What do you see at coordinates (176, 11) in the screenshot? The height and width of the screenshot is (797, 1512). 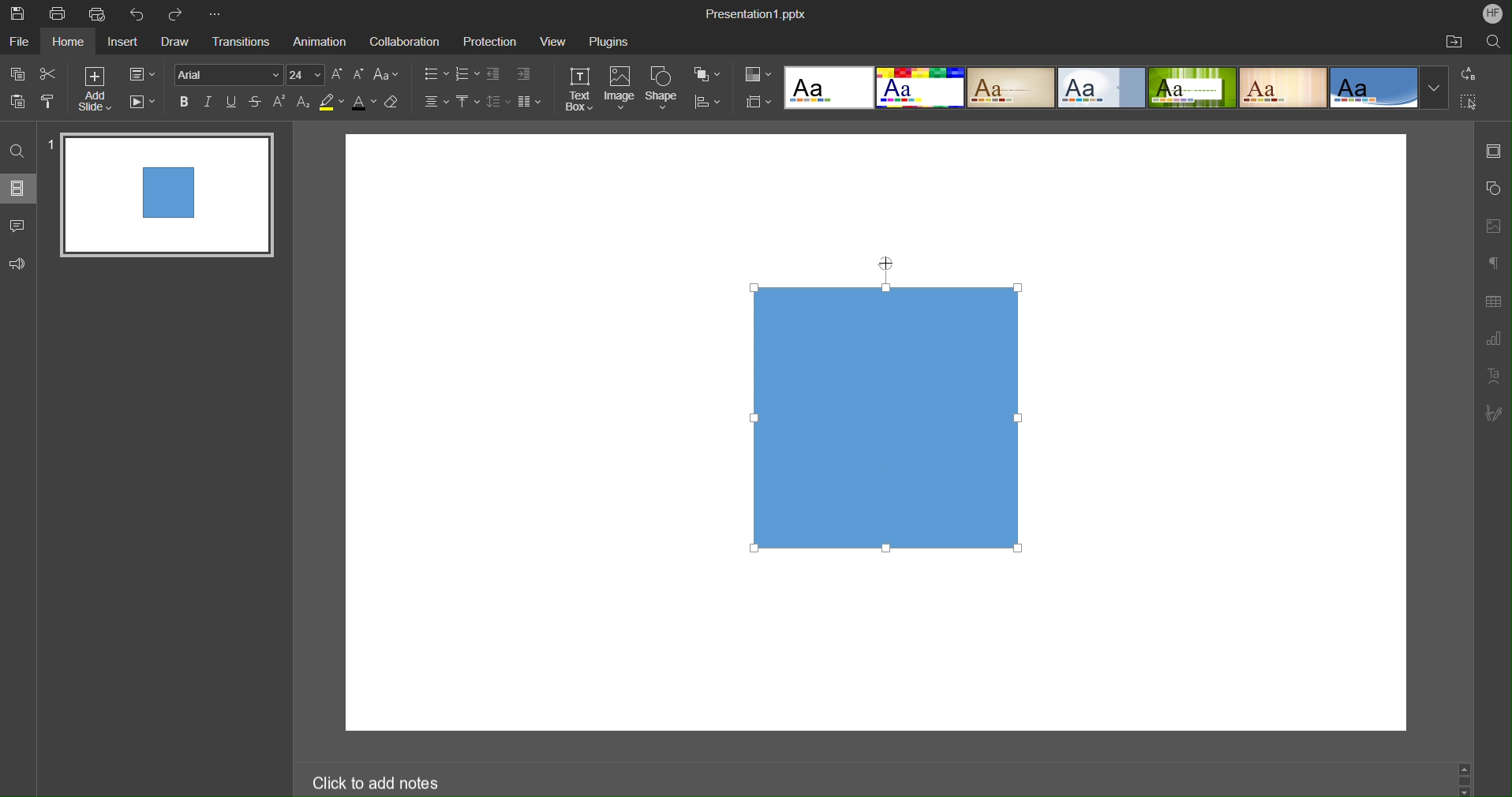 I see `Redo` at bounding box center [176, 11].